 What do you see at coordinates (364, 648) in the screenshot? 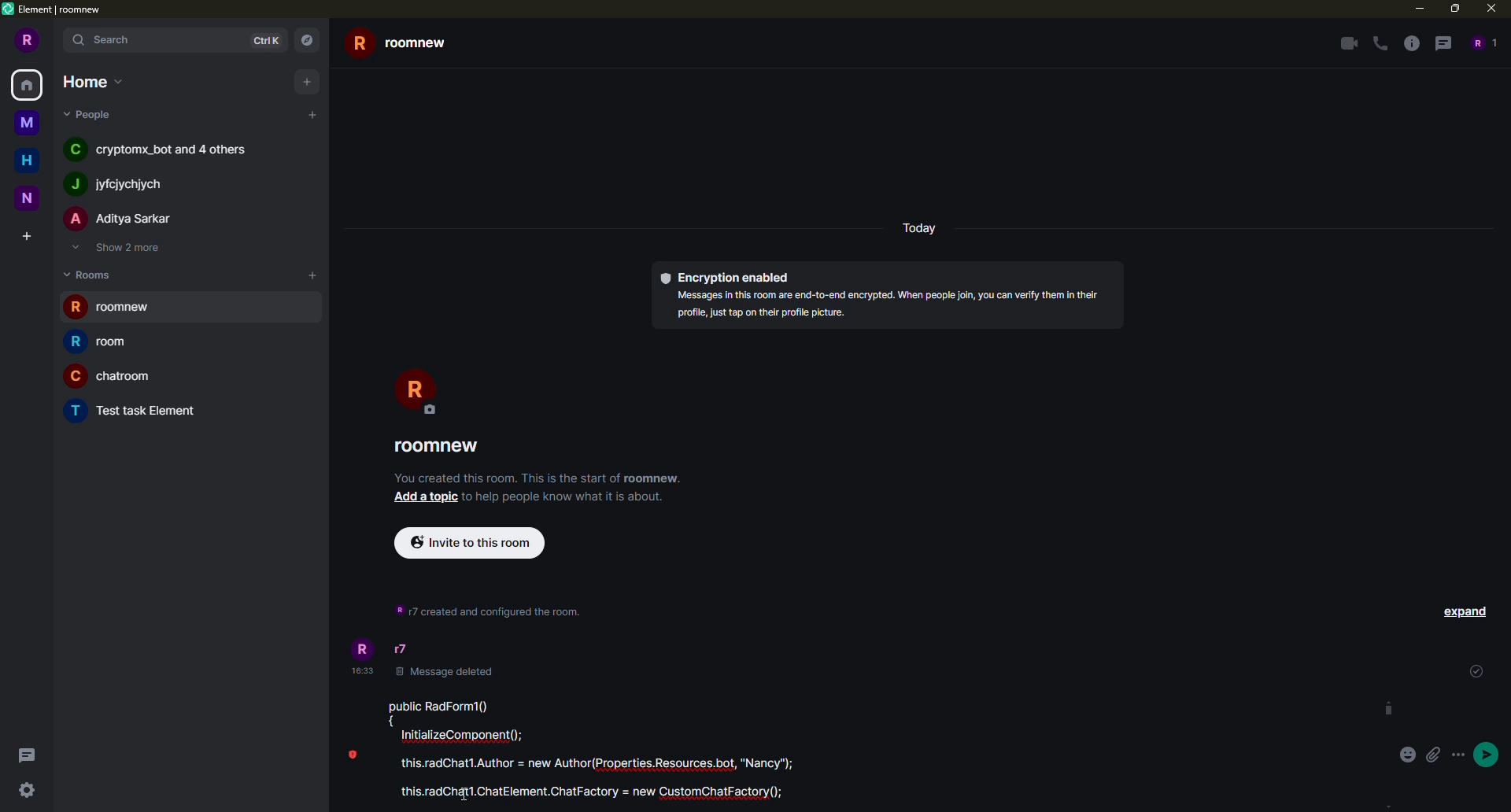
I see `profile` at bounding box center [364, 648].